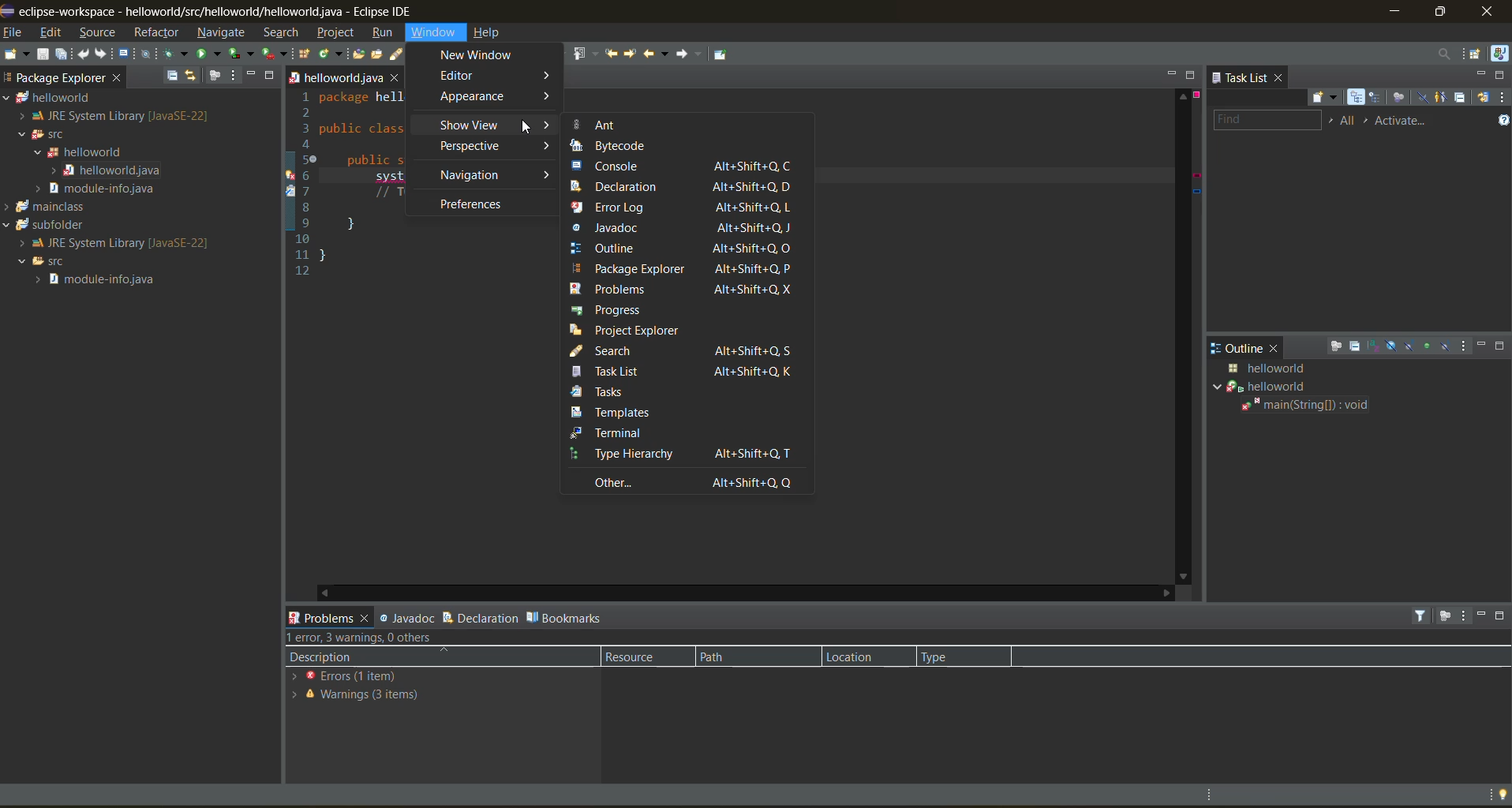 The height and width of the screenshot is (808, 1512). I want to click on skip all breakpoints, so click(148, 54).